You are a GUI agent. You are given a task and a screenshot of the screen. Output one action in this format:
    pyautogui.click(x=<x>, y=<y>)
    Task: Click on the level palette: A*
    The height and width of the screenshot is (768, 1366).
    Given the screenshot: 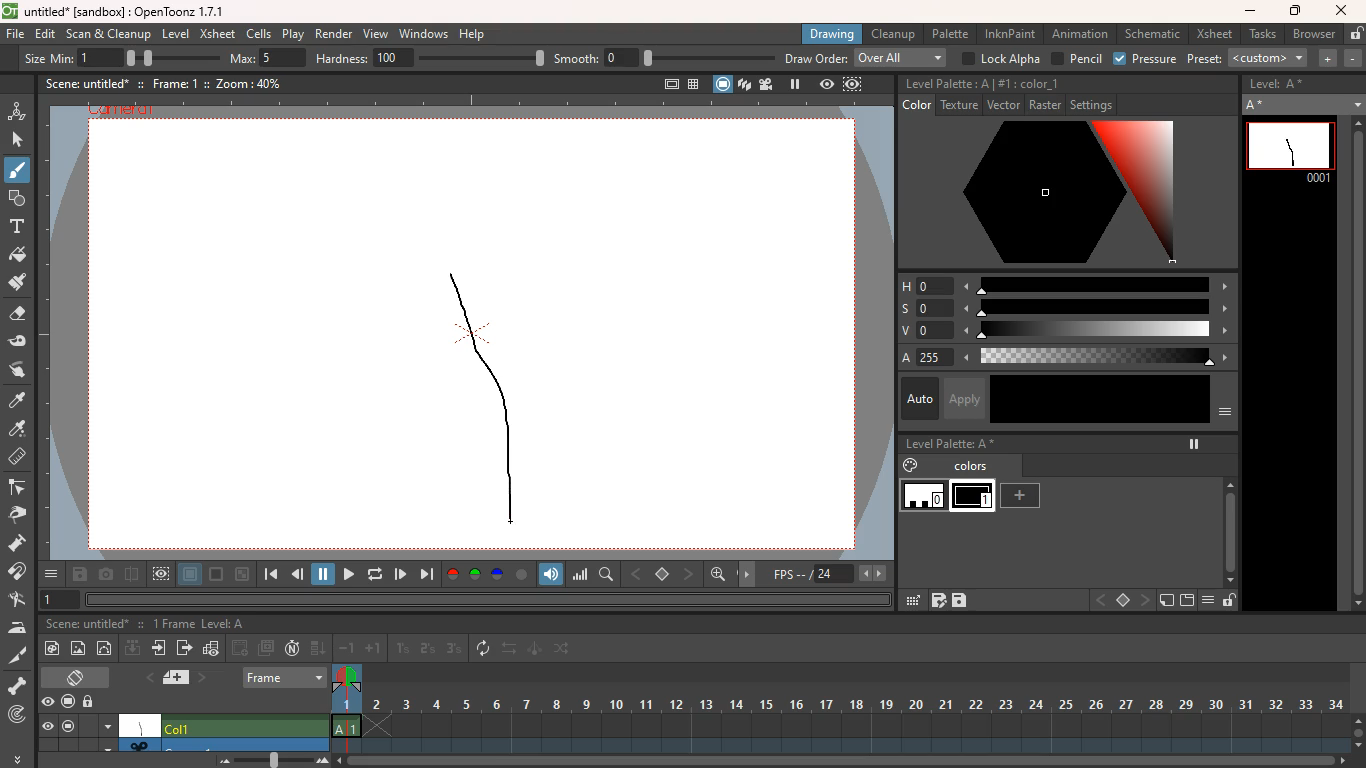 What is the action you would take?
    pyautogui.click(x=950, y=445)
    